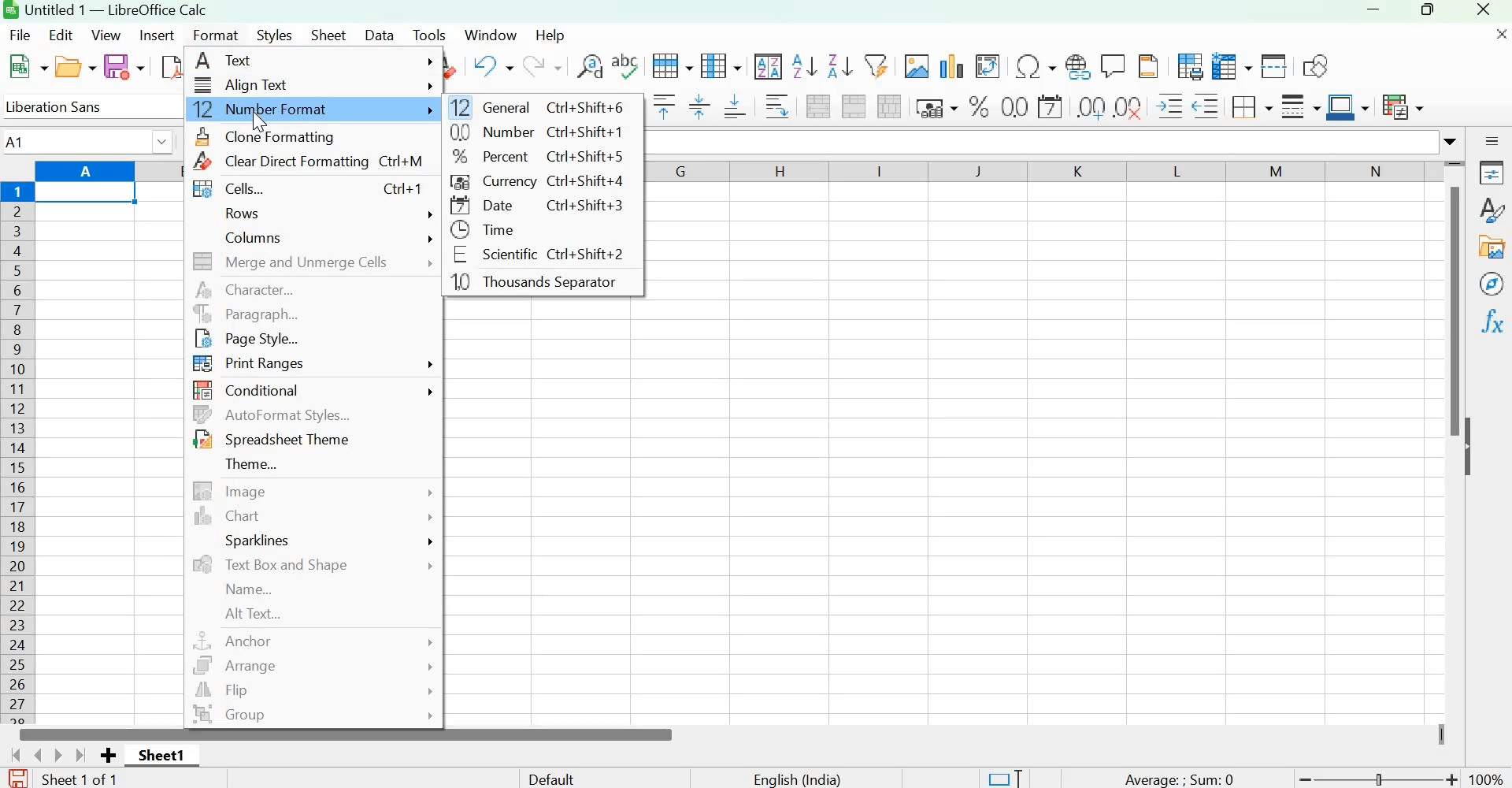 Image resolution: width=1512 pixels, height=788 pixels. What do you see at coordinates (1489, 779) in the screenshot?
I see `100%` at bounding box center [1489, 779].